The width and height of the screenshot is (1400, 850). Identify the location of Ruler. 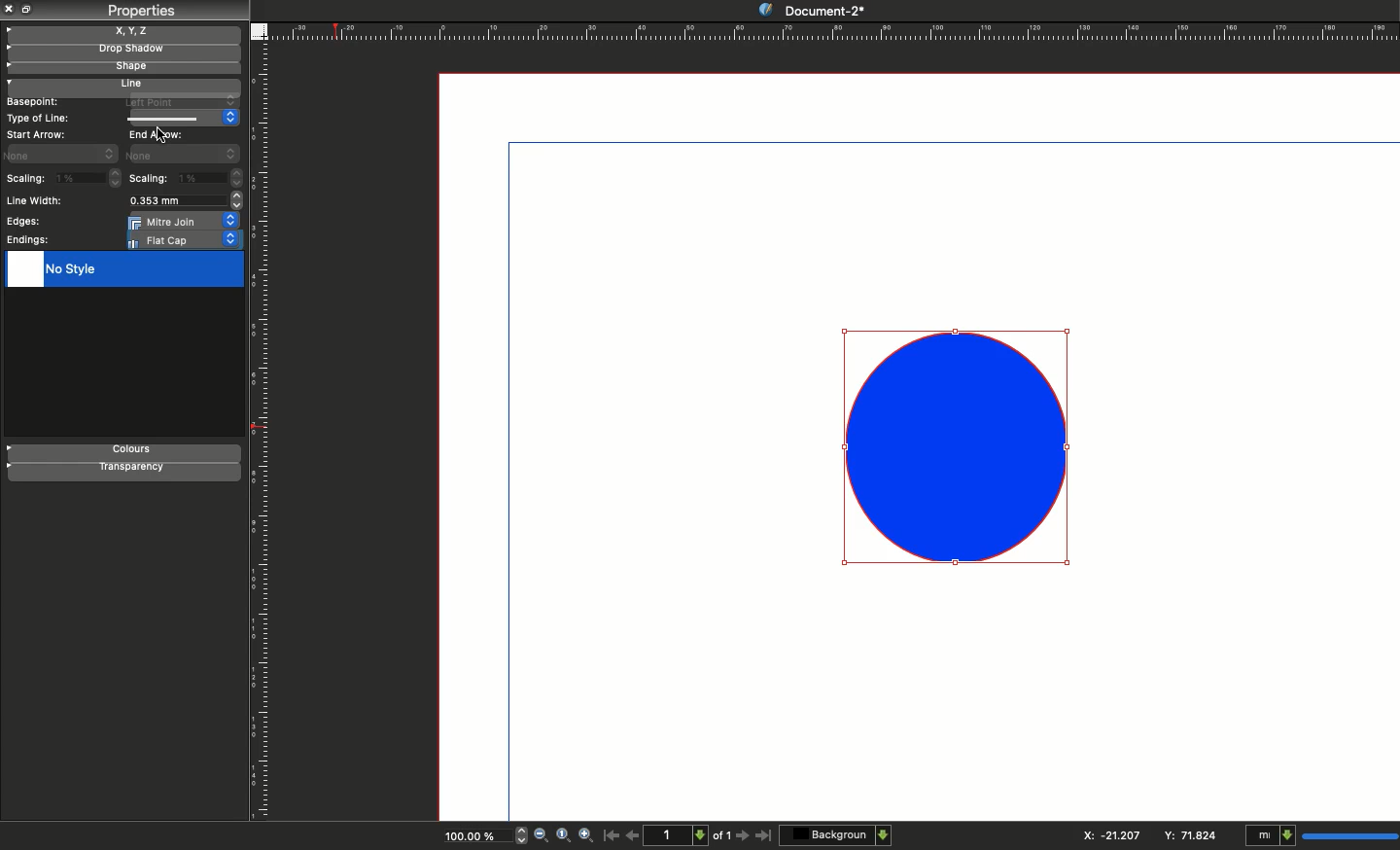
(262, 433).